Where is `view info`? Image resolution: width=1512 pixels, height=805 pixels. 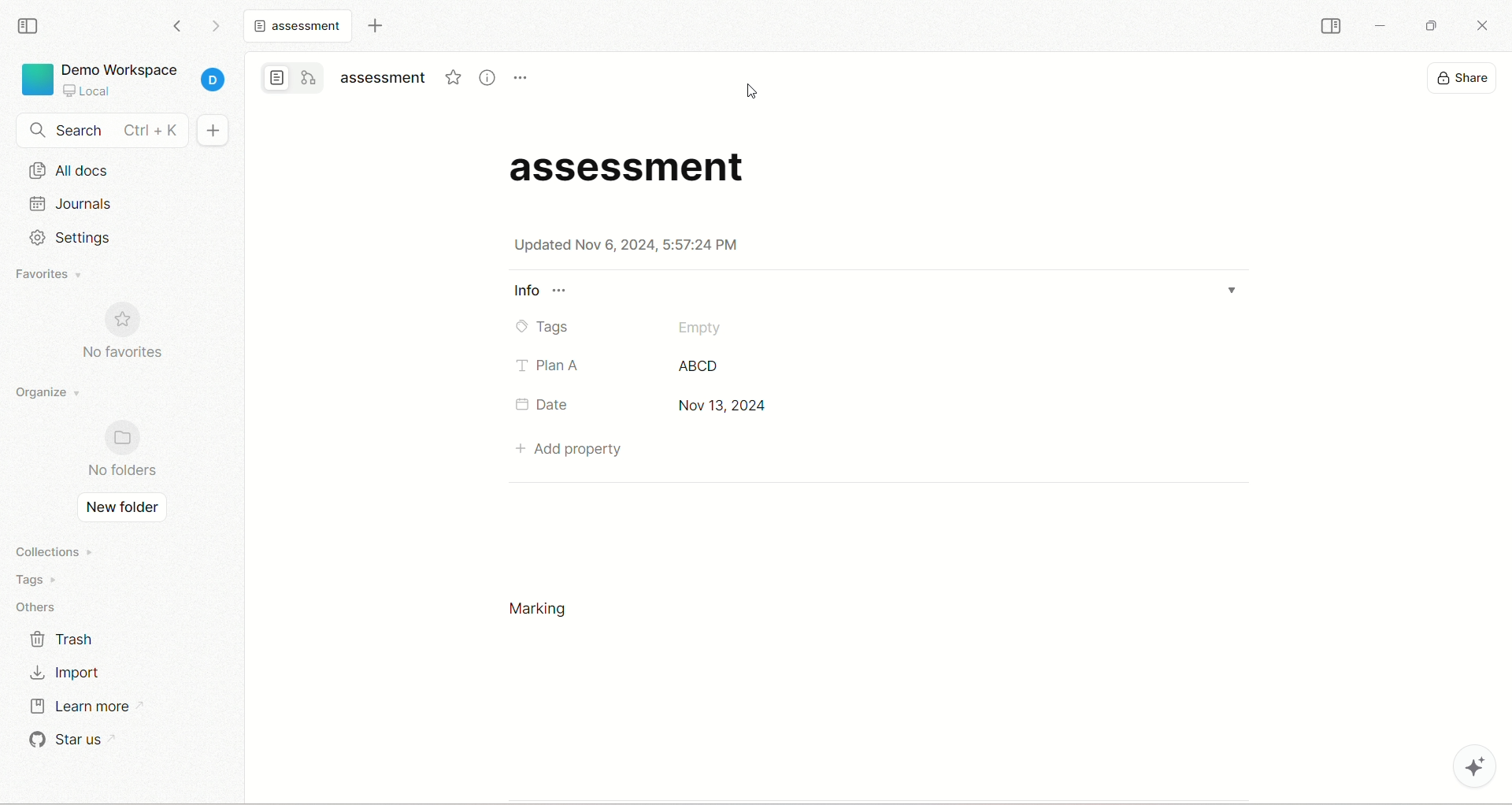 view info is located at coordinates (487, 76).